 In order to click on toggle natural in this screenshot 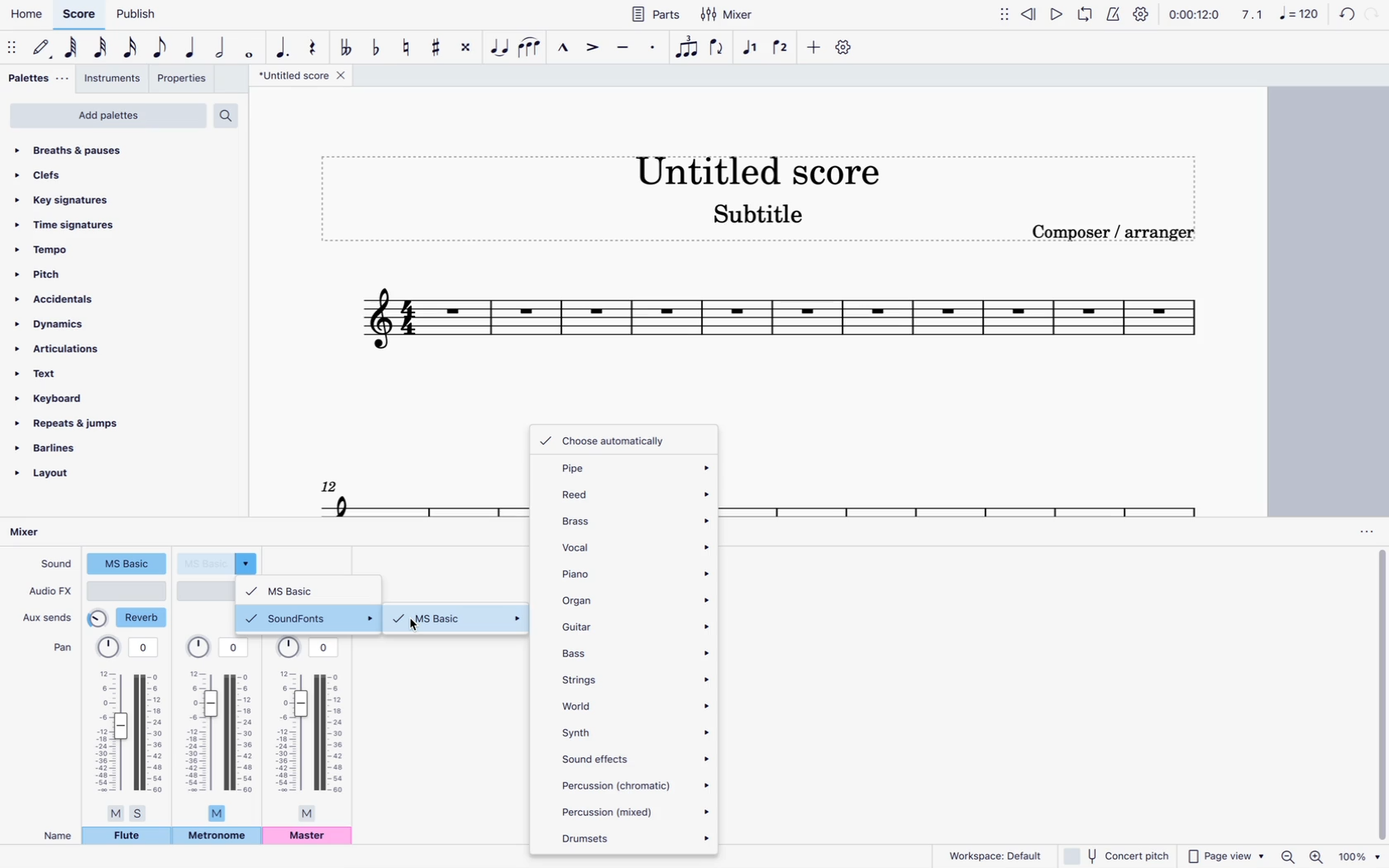, I will do `click(408, 46)`.